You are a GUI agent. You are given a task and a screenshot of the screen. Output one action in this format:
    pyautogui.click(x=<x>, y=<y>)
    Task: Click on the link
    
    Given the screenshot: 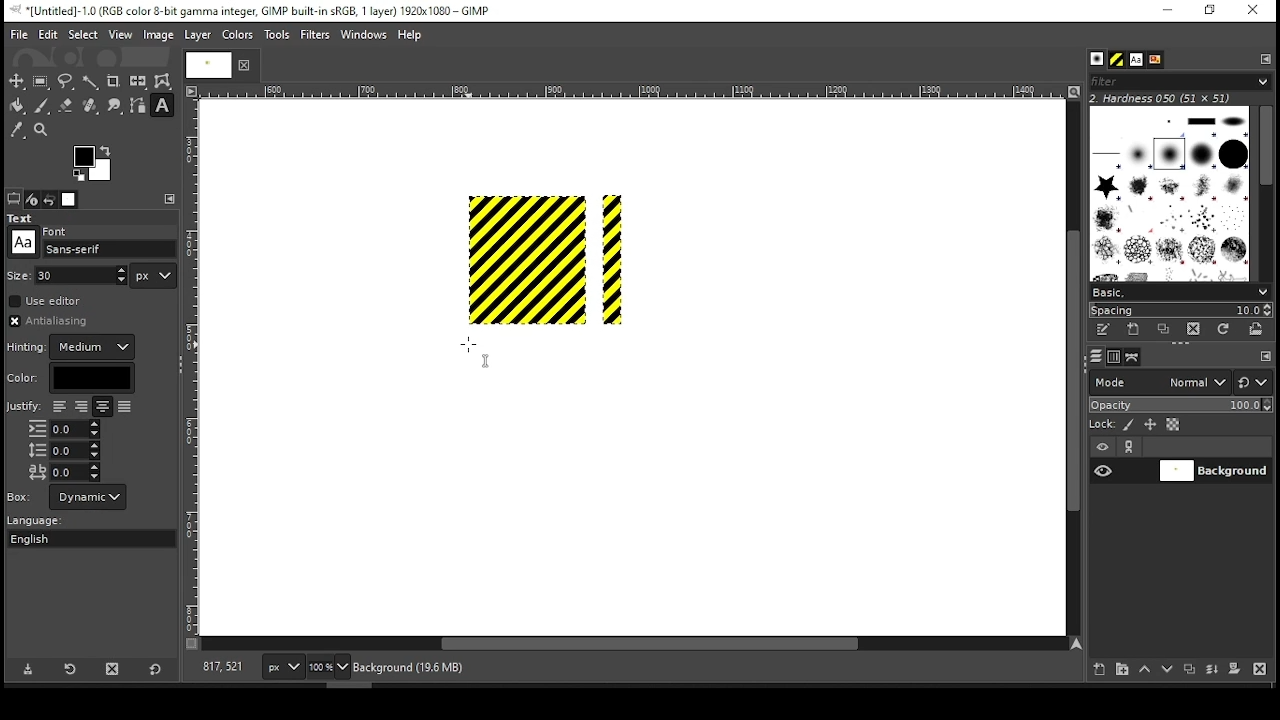 What is the action you would take?
    pyautogui.click(x=1129, y=447)
    